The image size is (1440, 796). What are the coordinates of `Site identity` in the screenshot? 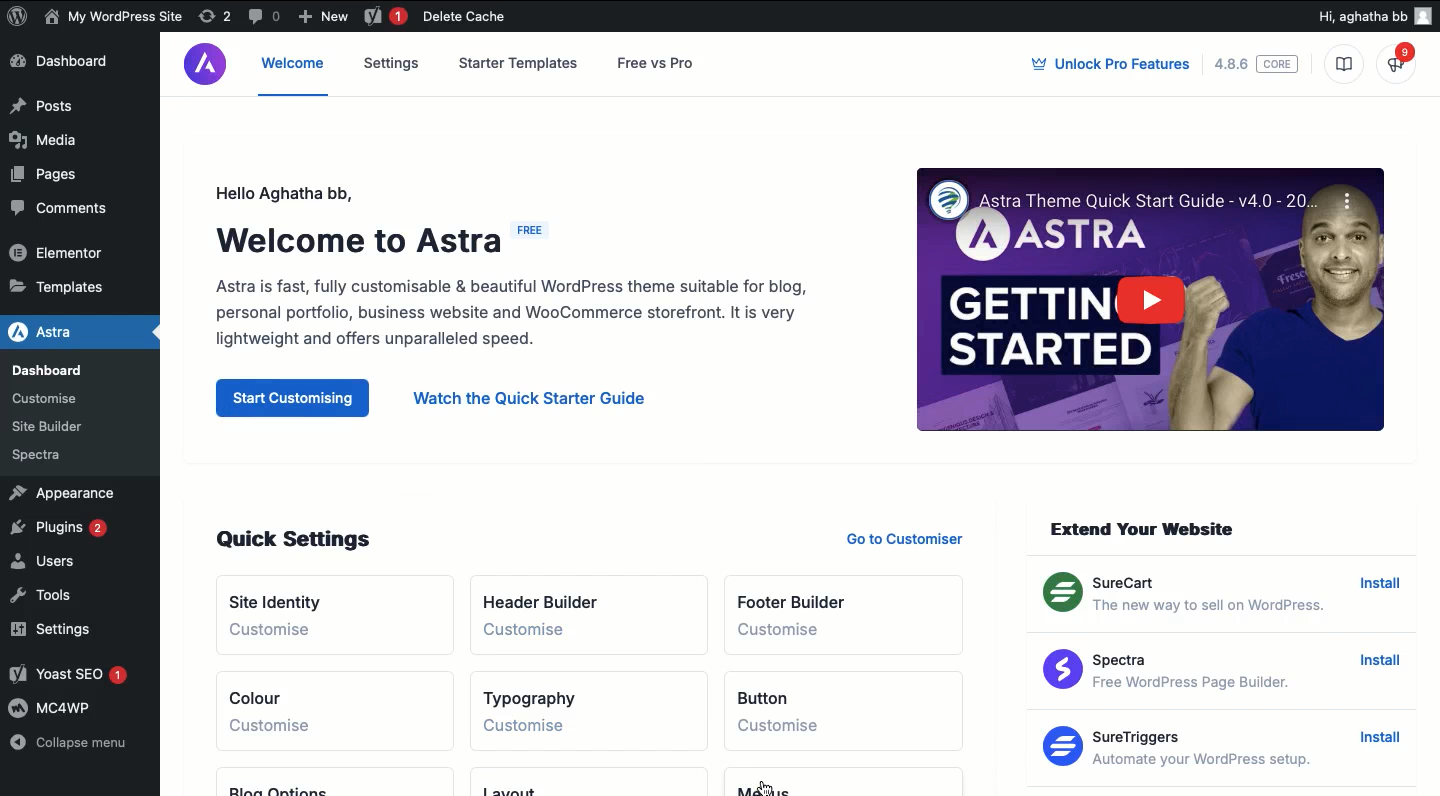 It's located at (287, 596).